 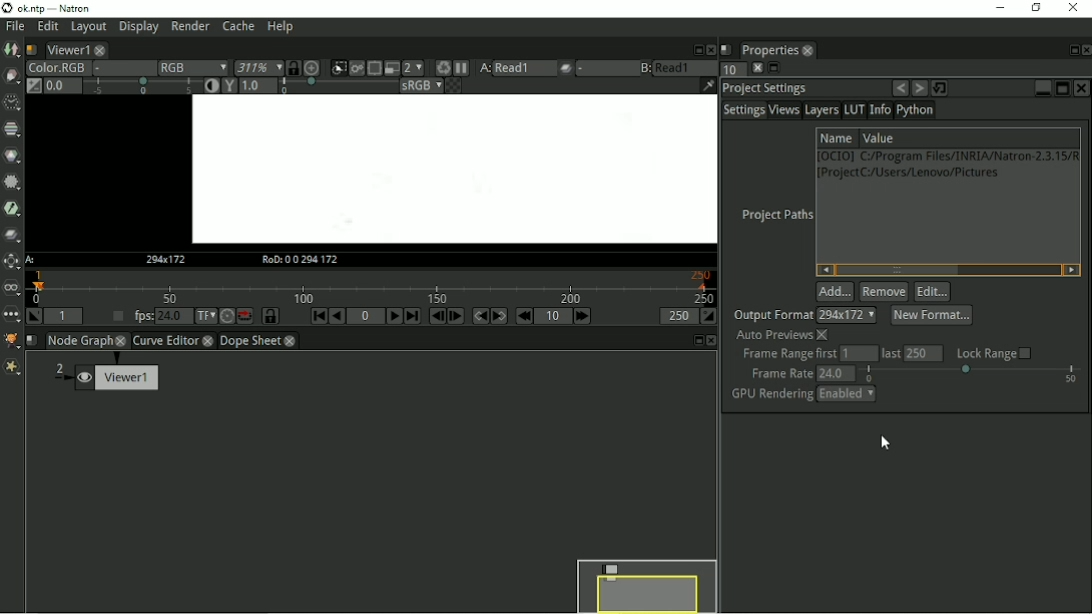 I want to click on Operation applied between viewer input A and B, so click(x=566, y=69).